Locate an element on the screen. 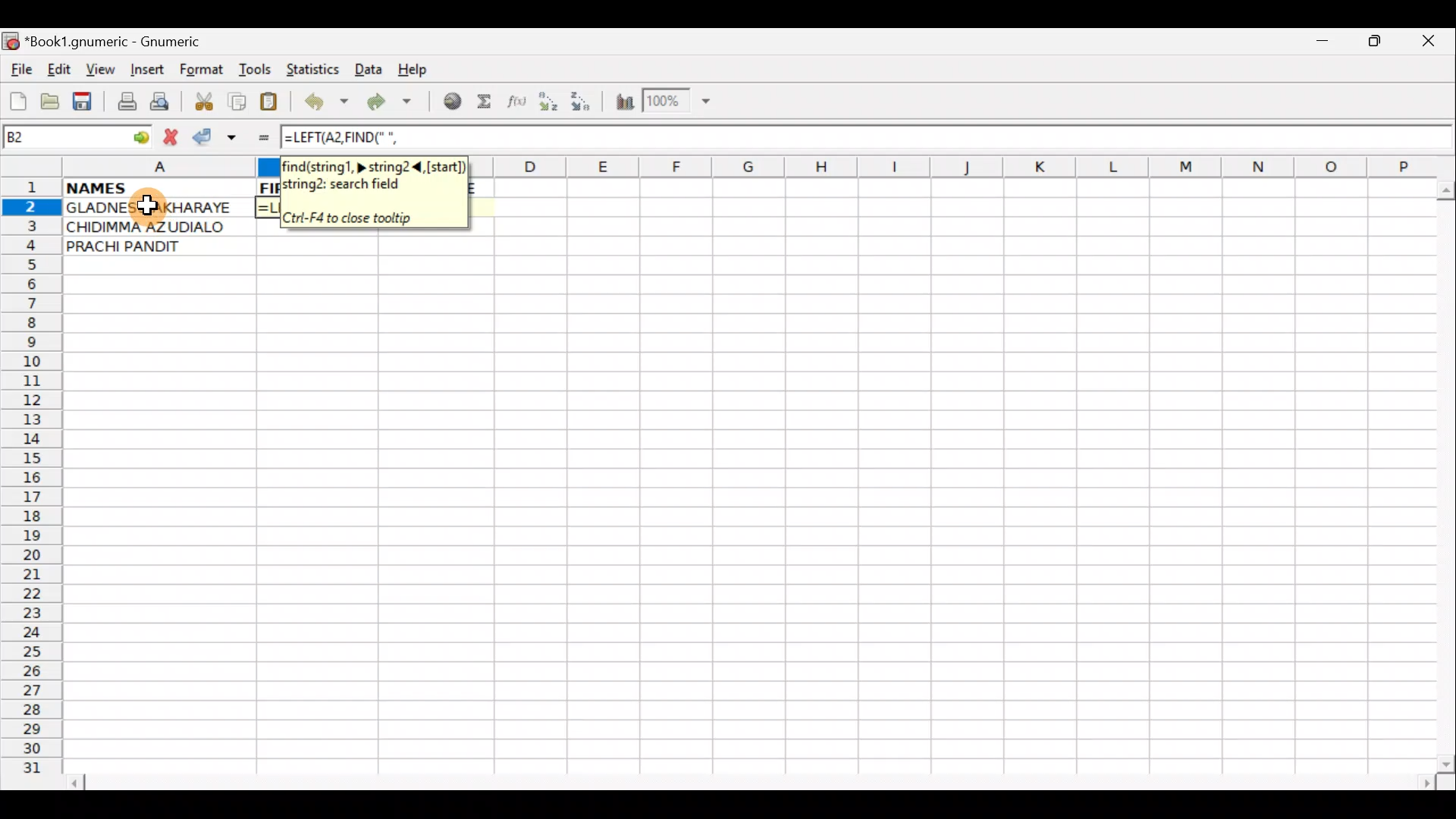 This screenshot has height=819, width=1456. Tools is located at coordinates (256, 70).